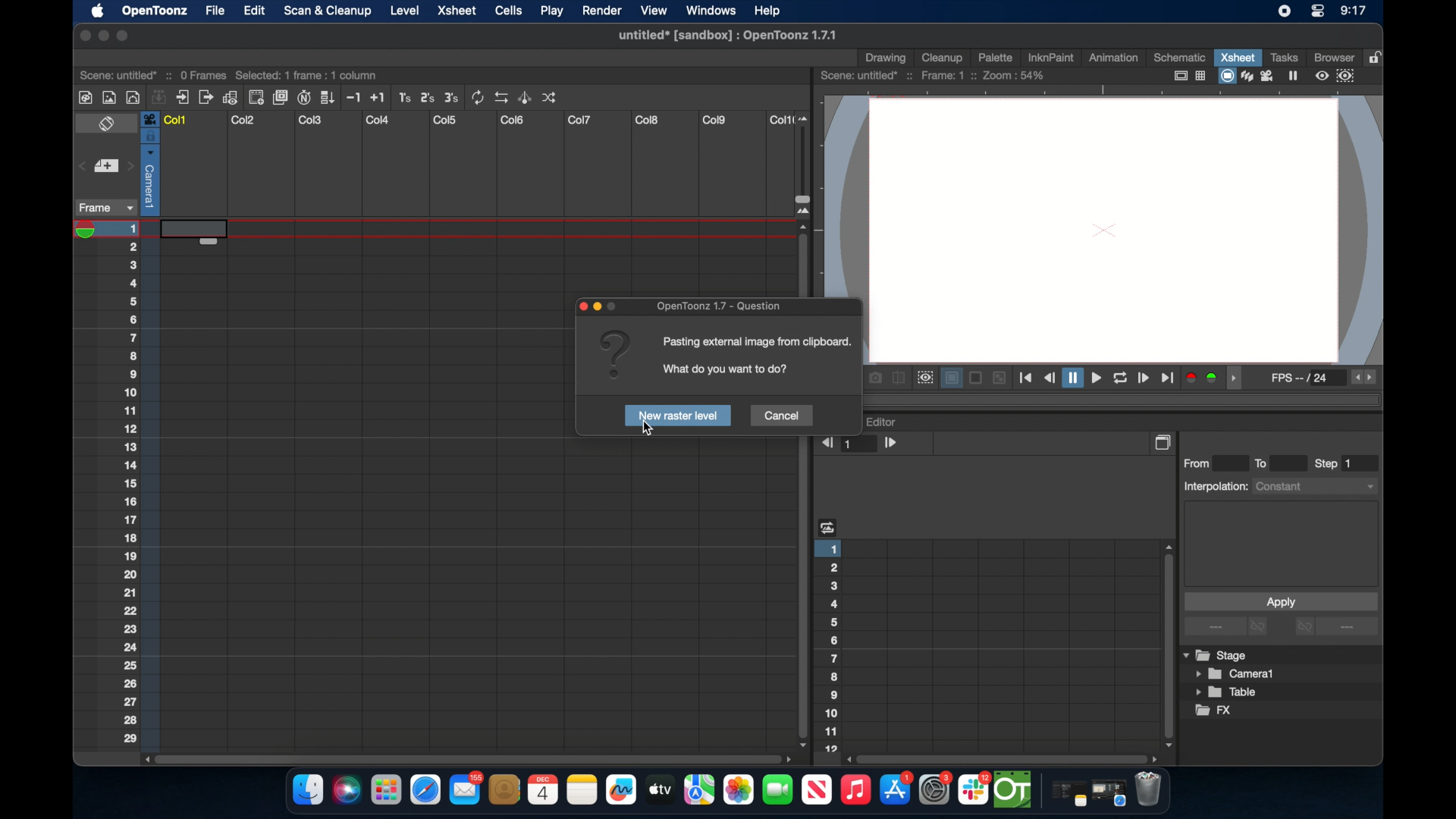 Image resolution: width=1456 pixels, height=819 pixels. What do you see at coordinates (861, 444) in the screenshot?
I see `1` at bounding box center [861, 444].